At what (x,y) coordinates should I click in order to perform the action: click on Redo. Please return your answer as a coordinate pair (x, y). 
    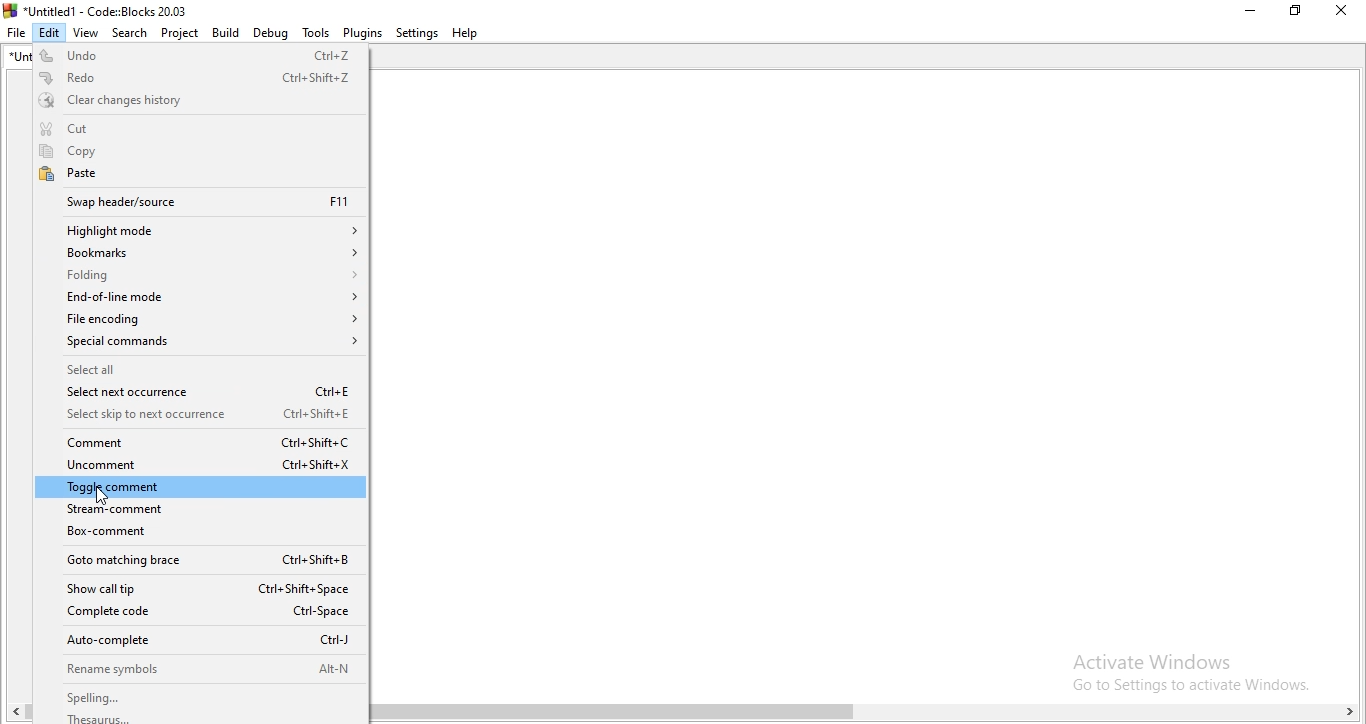
    Looking at the image, I should click on (199, 77).